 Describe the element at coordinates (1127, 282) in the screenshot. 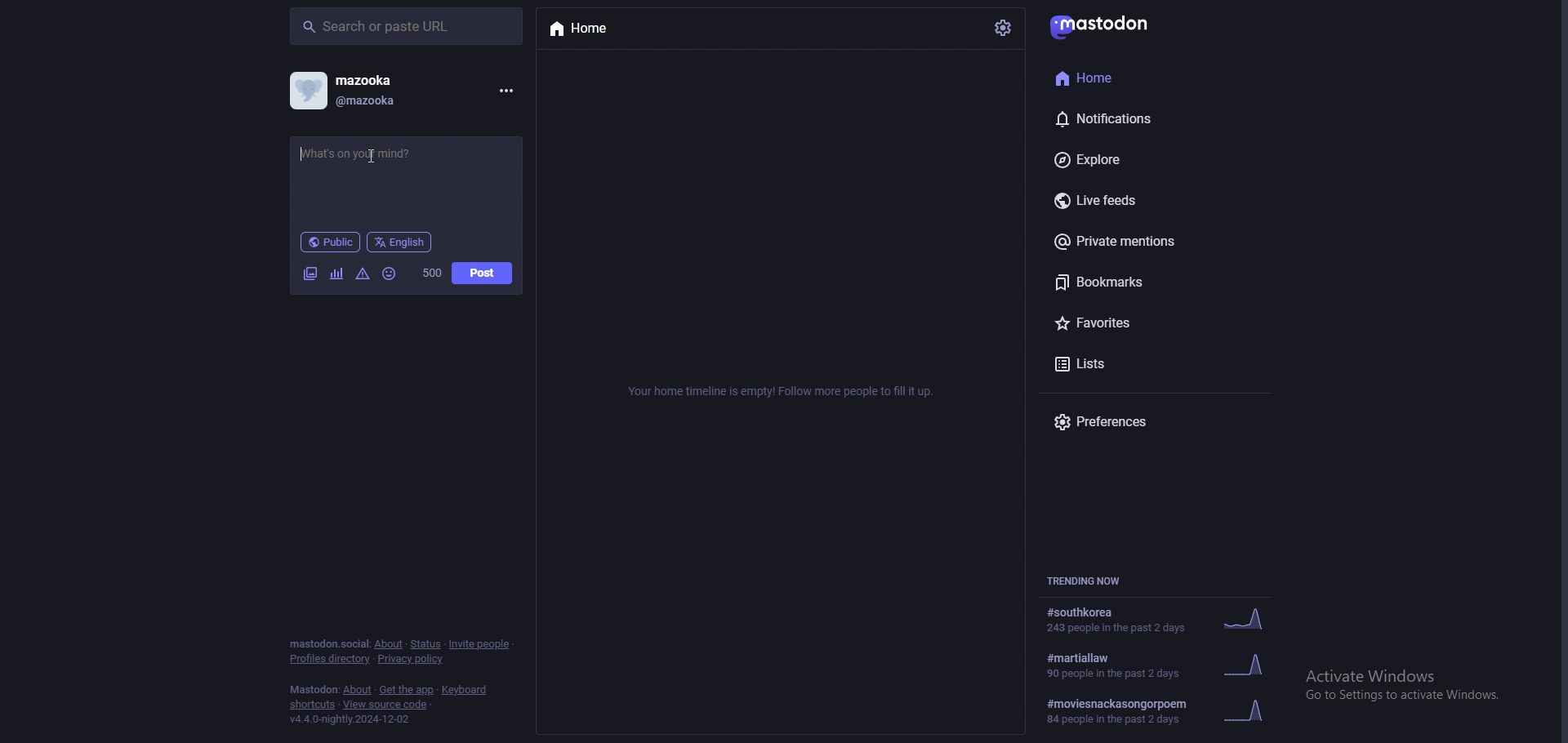

I see `bookmarks` at that location.